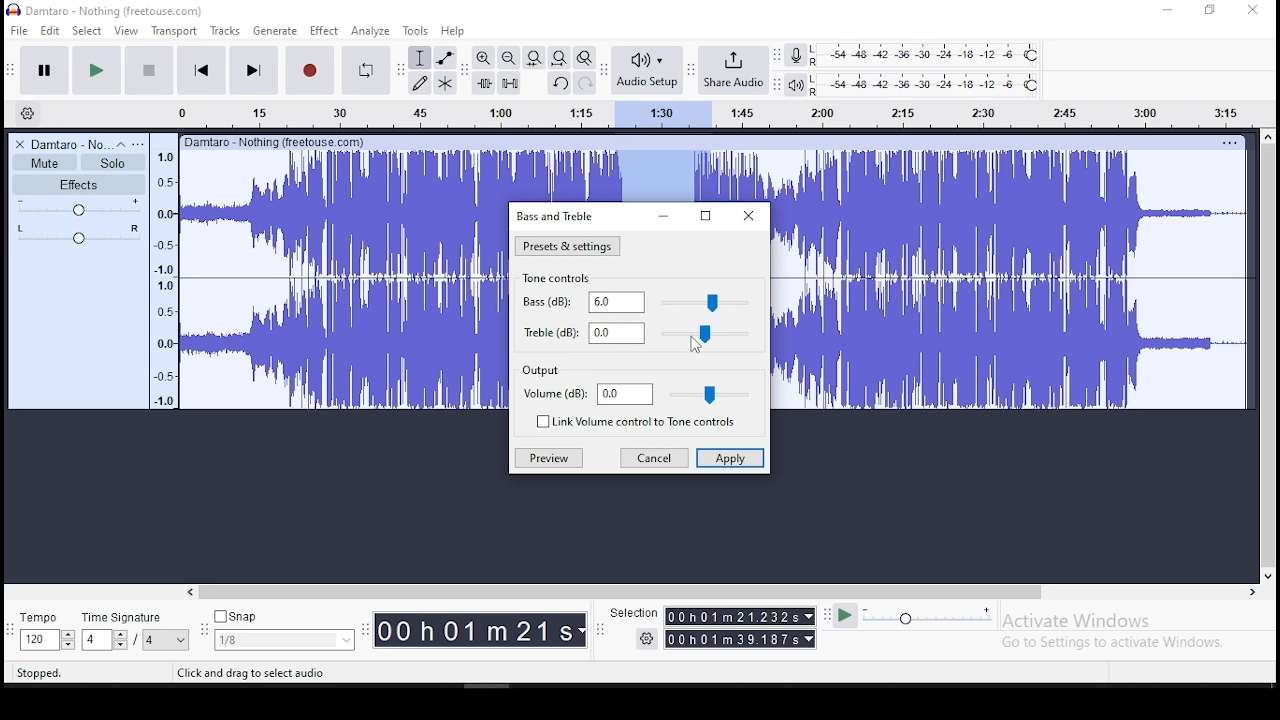 The image size is (1280, 720). I want to click on drop down, so click(811, 639).